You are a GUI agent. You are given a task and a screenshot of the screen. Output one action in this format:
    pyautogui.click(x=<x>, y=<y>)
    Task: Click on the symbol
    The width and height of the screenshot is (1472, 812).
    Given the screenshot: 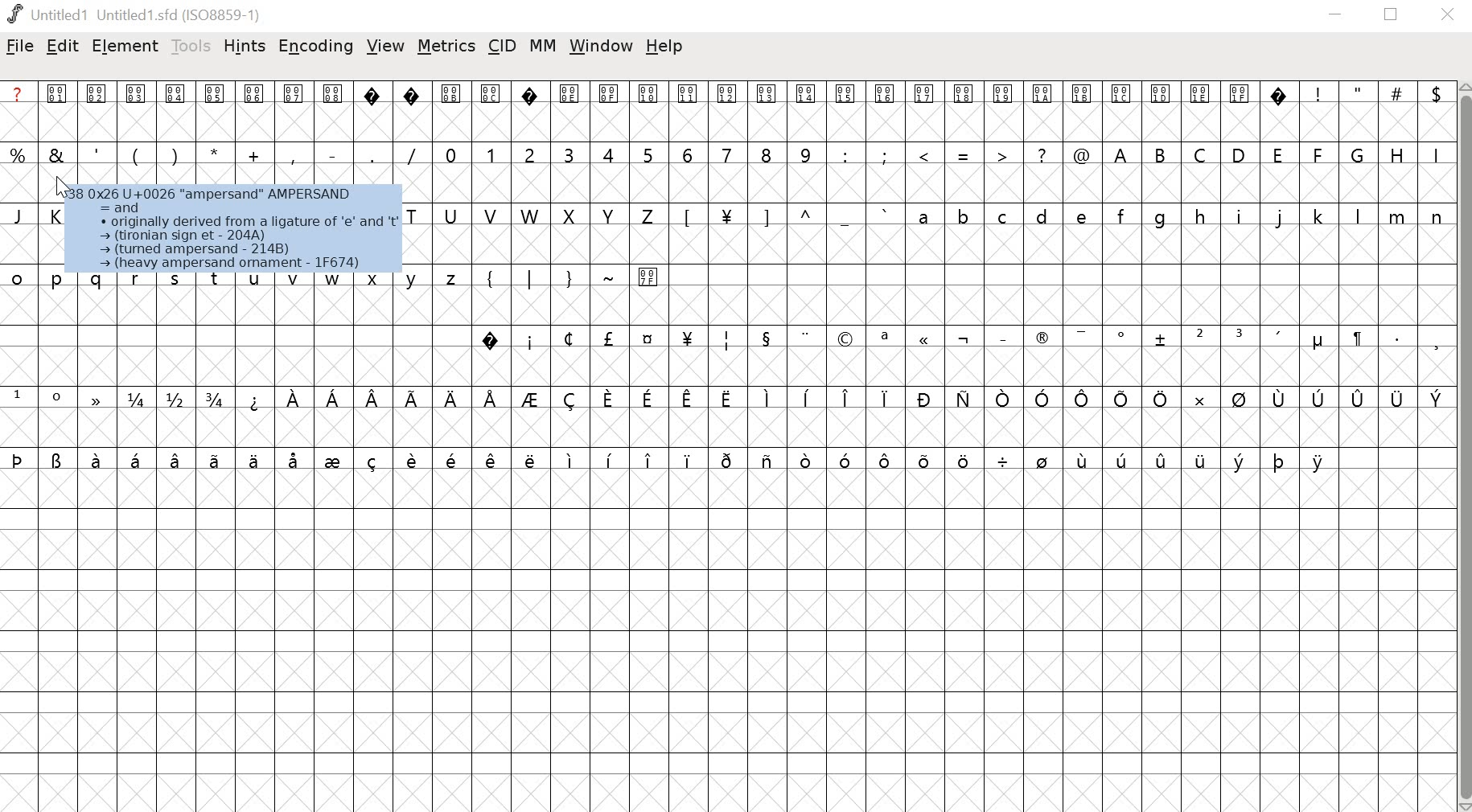 What is the action you would take?
    pyautogui.click(x=725, y=342)
    